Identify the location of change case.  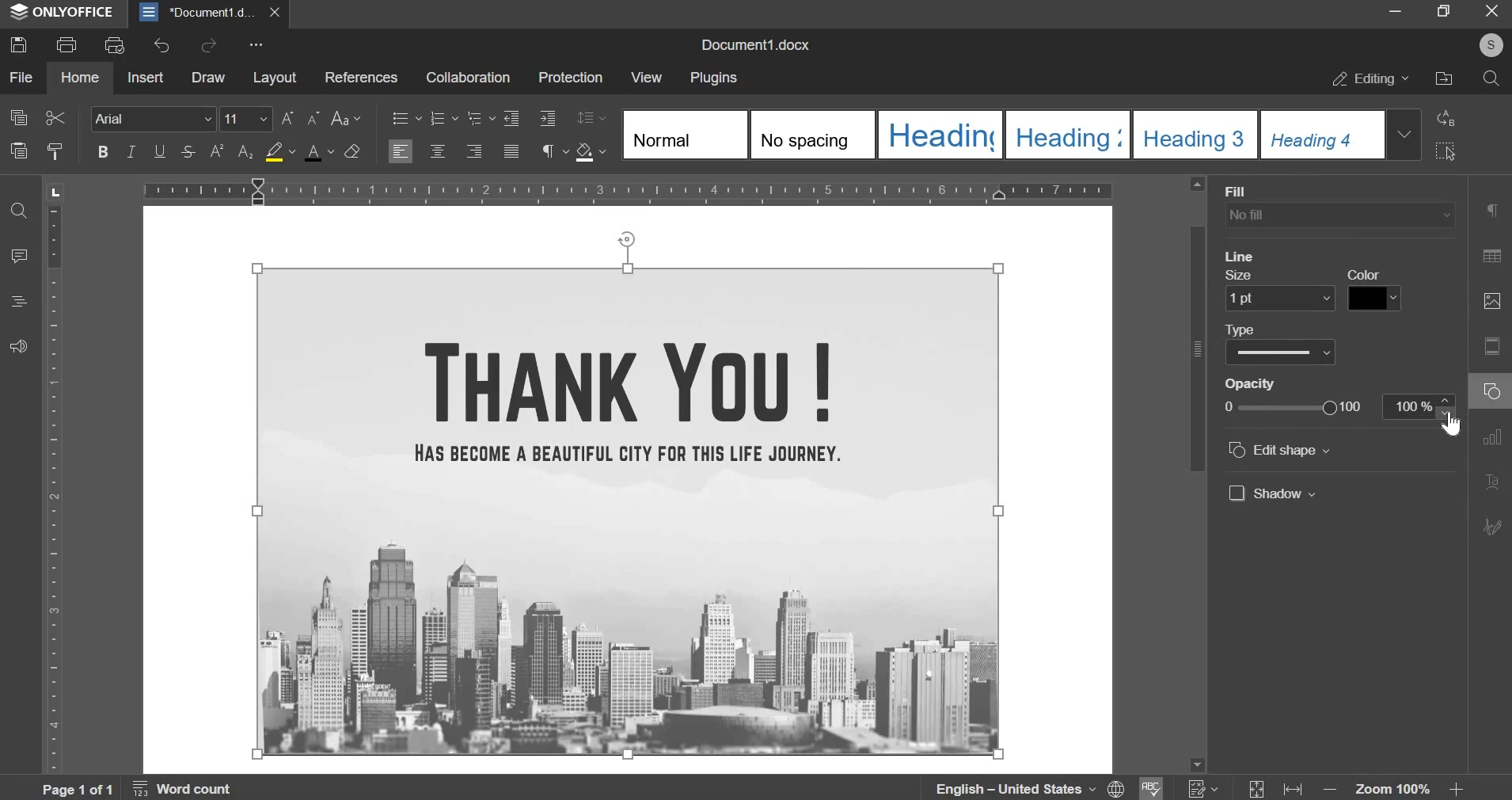
(345, 117).